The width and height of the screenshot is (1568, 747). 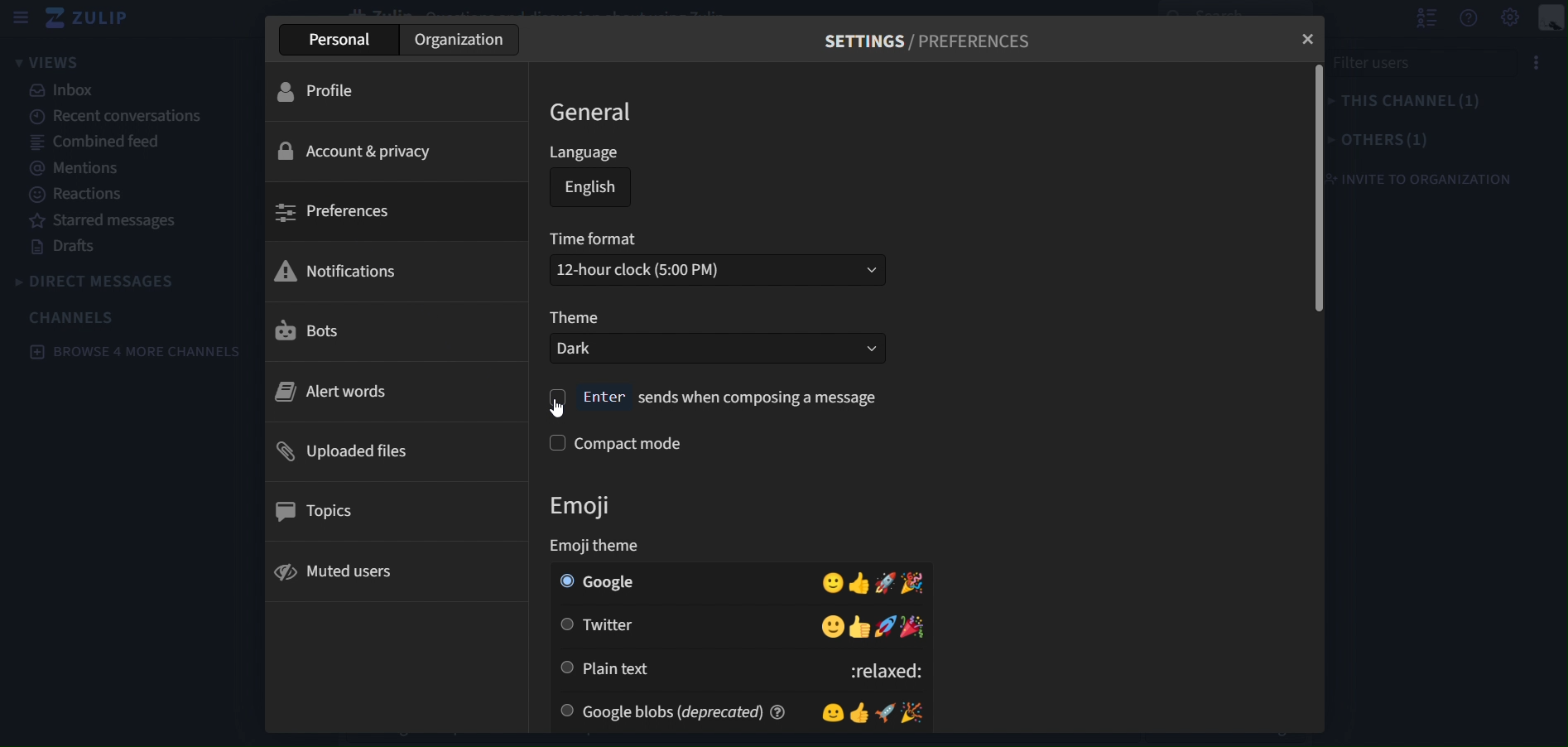 I want to click on personal, so click(x=340, y=40).